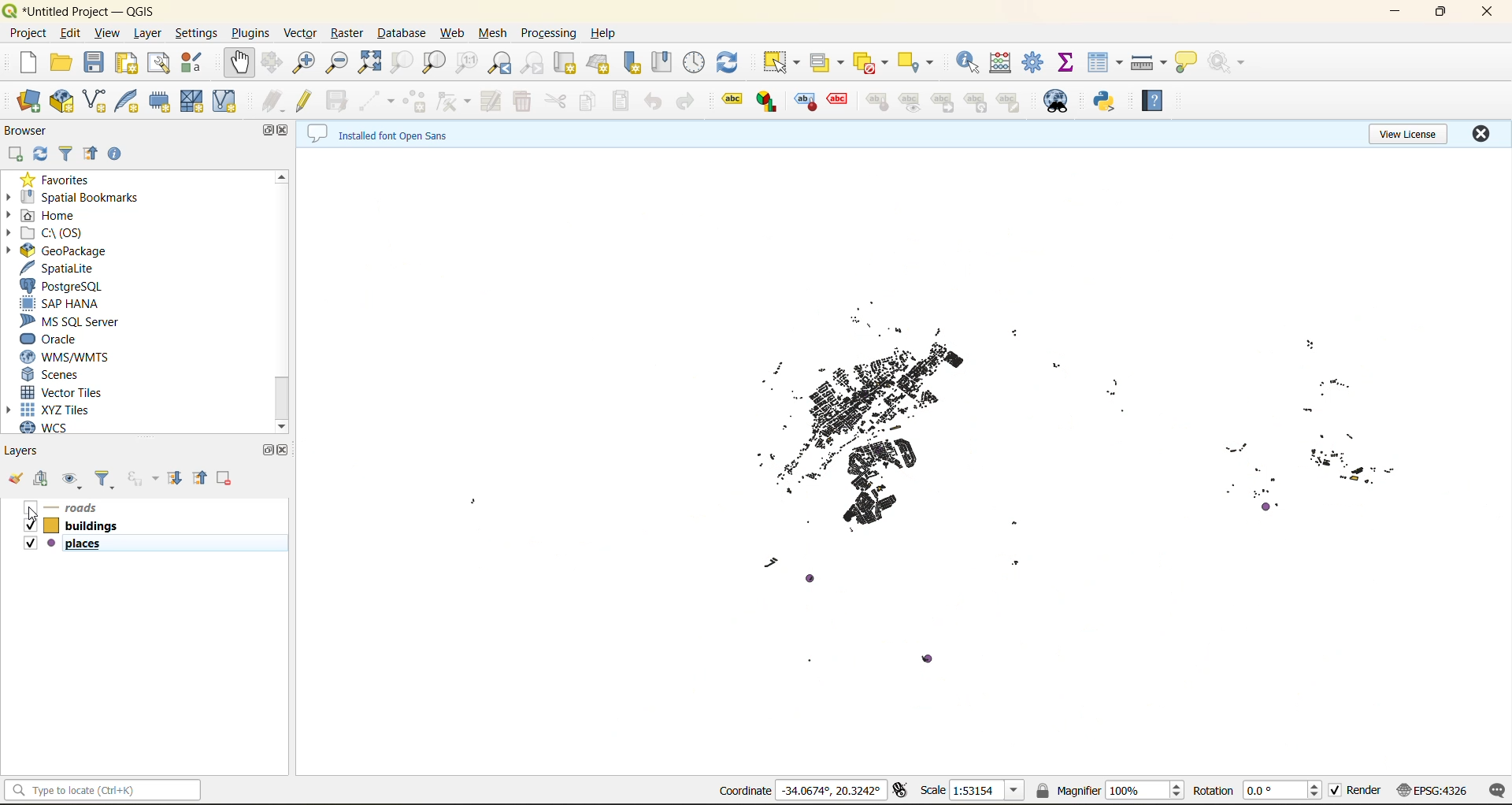 This screenshot has height=805, width=1512. Describe the element at coordinates (59, 233) in the screenshot. I see `c\:os` at that location.